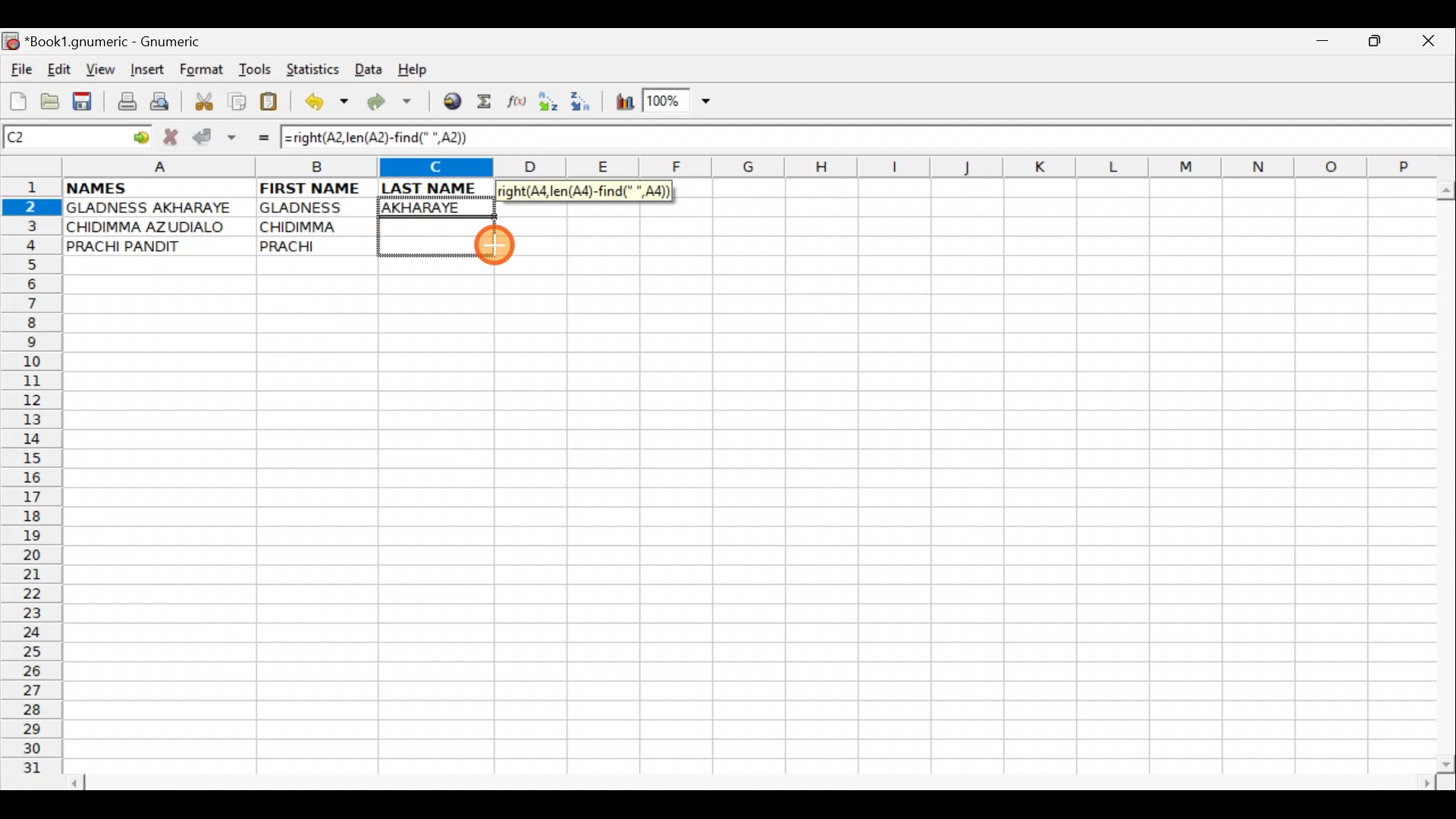  Describe the element at coordinates (450, 102) in the screenshot. I see `Insert hyperlink` at that location.